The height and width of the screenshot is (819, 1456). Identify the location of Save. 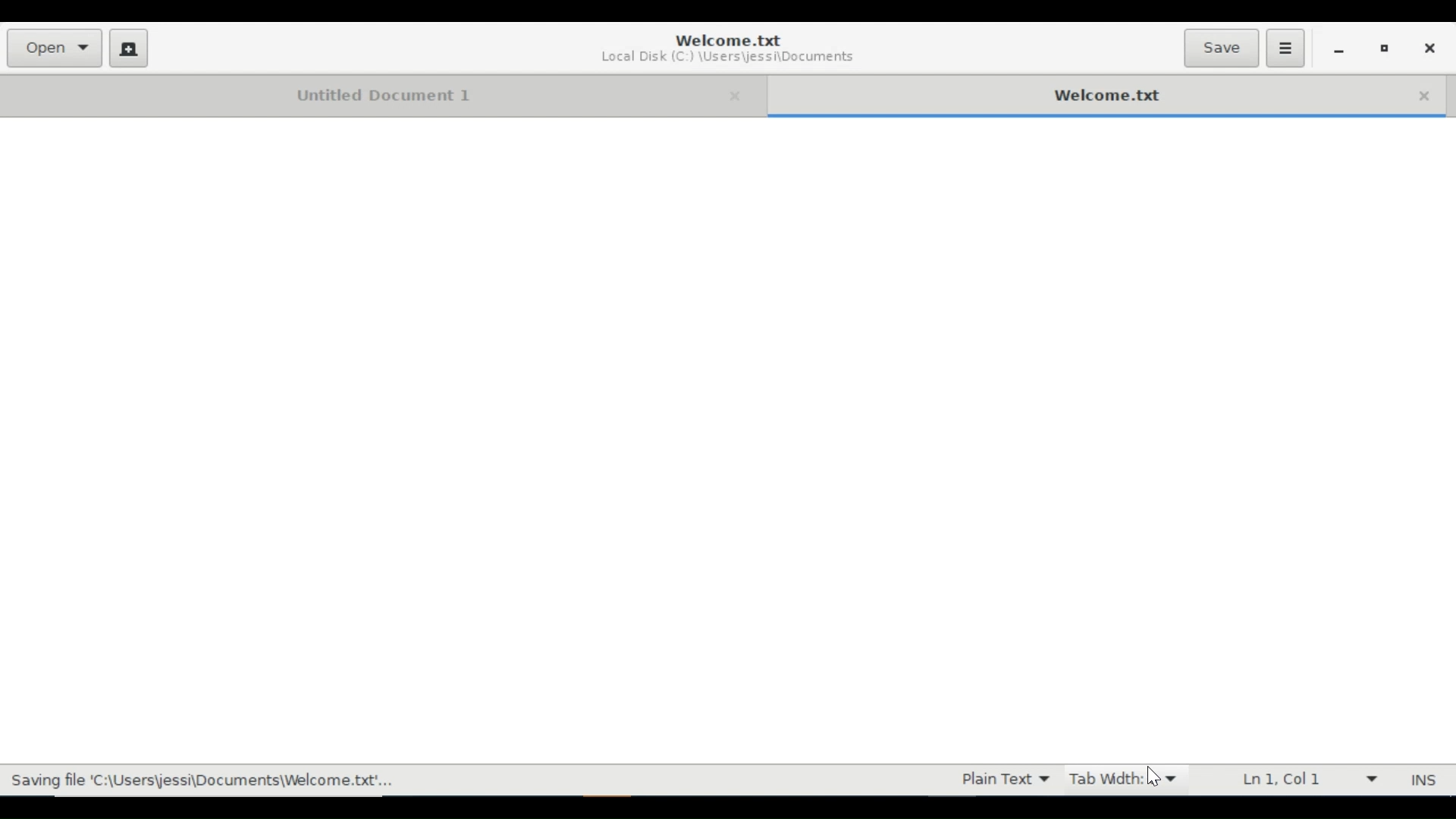
(1221, 47).